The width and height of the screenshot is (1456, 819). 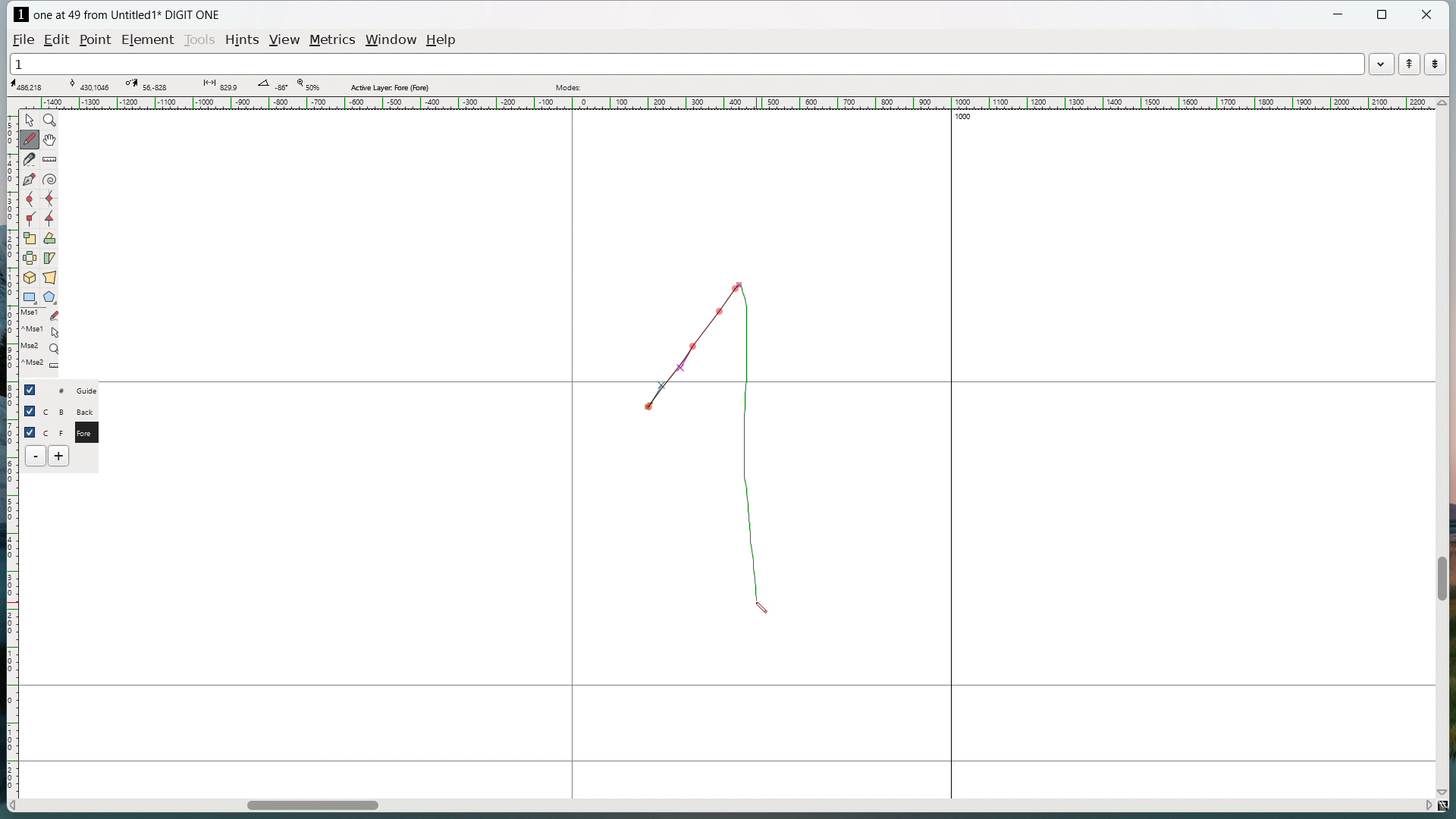 I want to click on hints, so click(x=243, y=41).